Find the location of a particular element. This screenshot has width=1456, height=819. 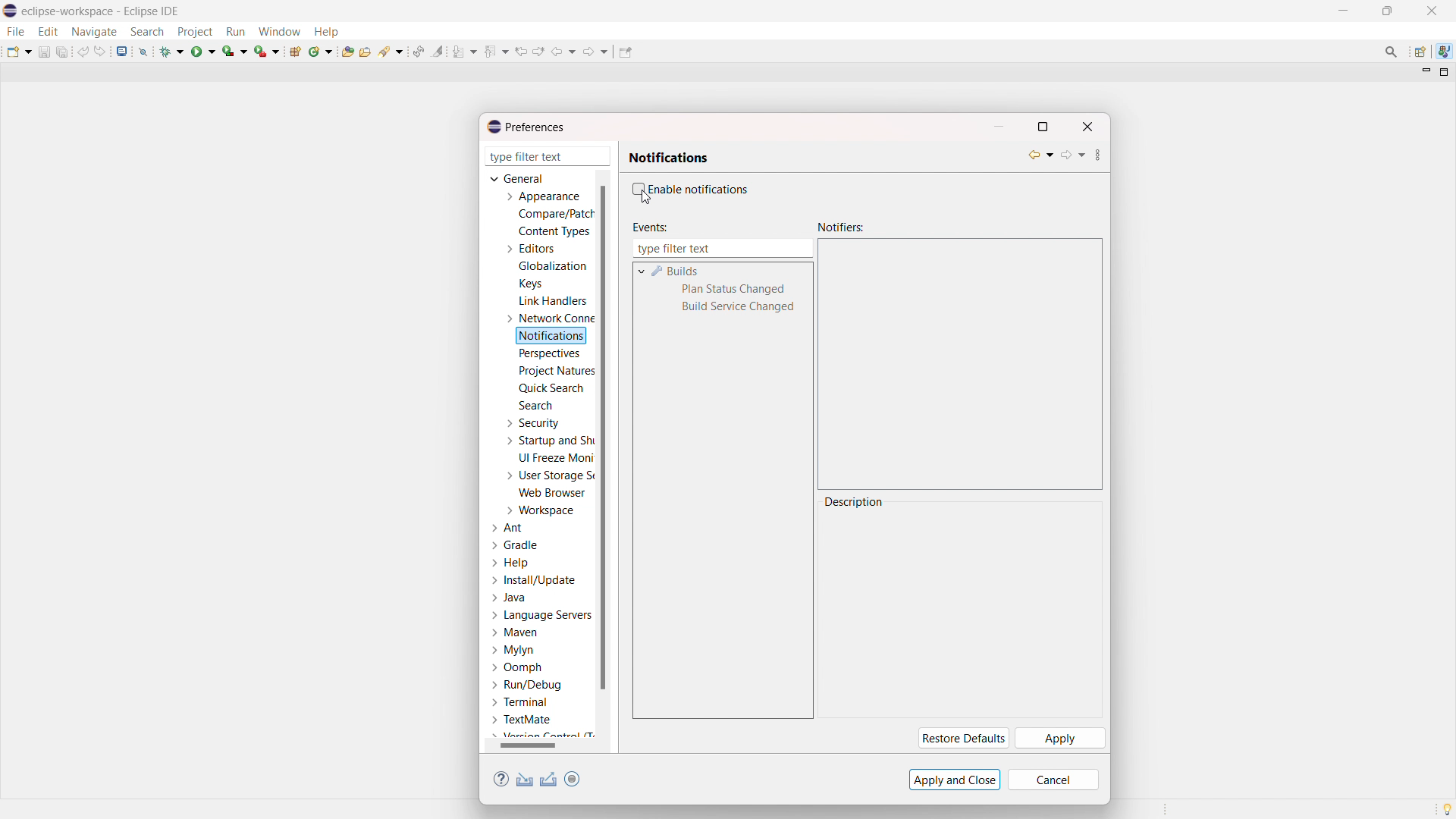

maximize dialogbox is located at coordinates (1042, 127).